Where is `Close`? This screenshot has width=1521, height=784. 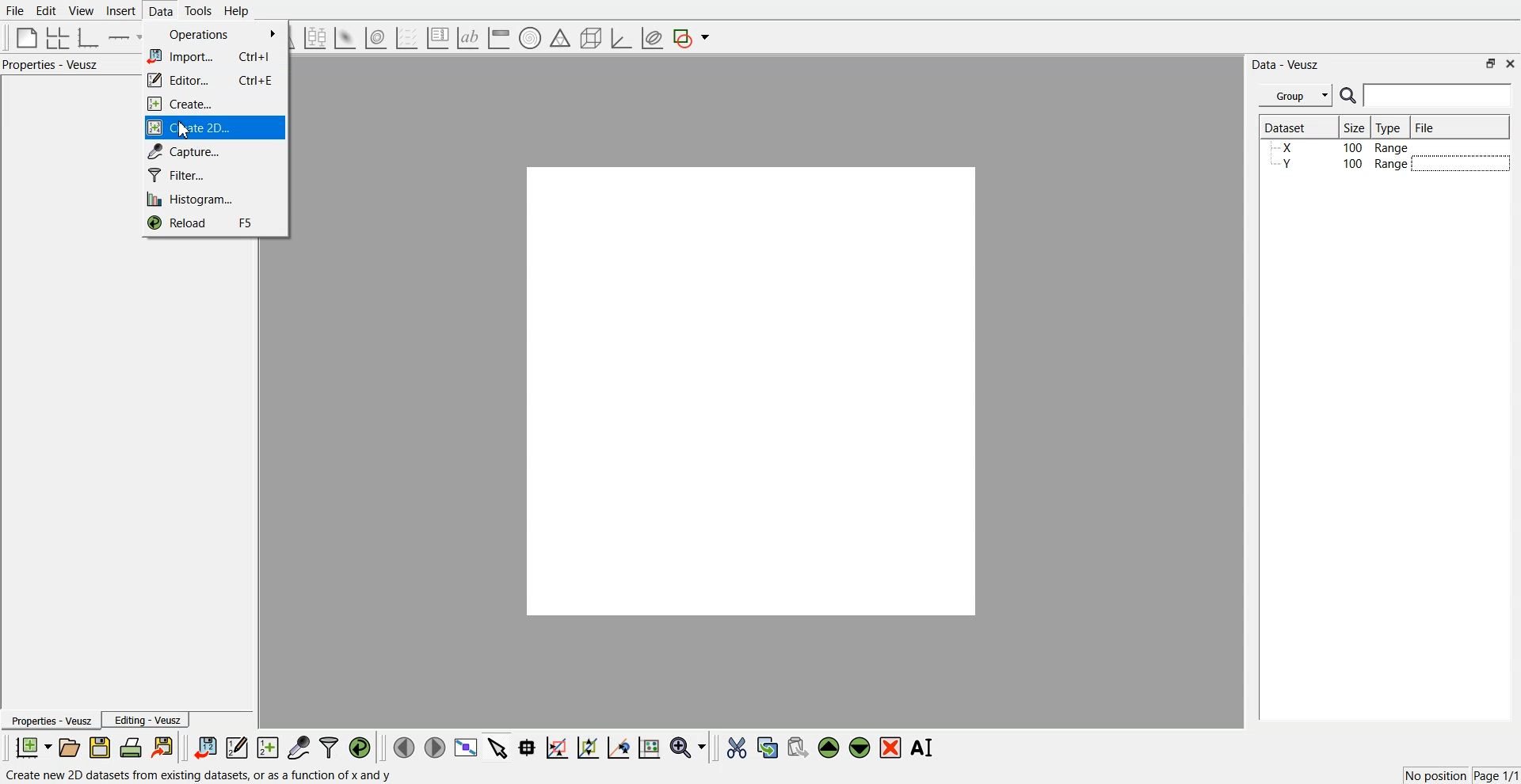
Close is located at coordinates (1511, 63).